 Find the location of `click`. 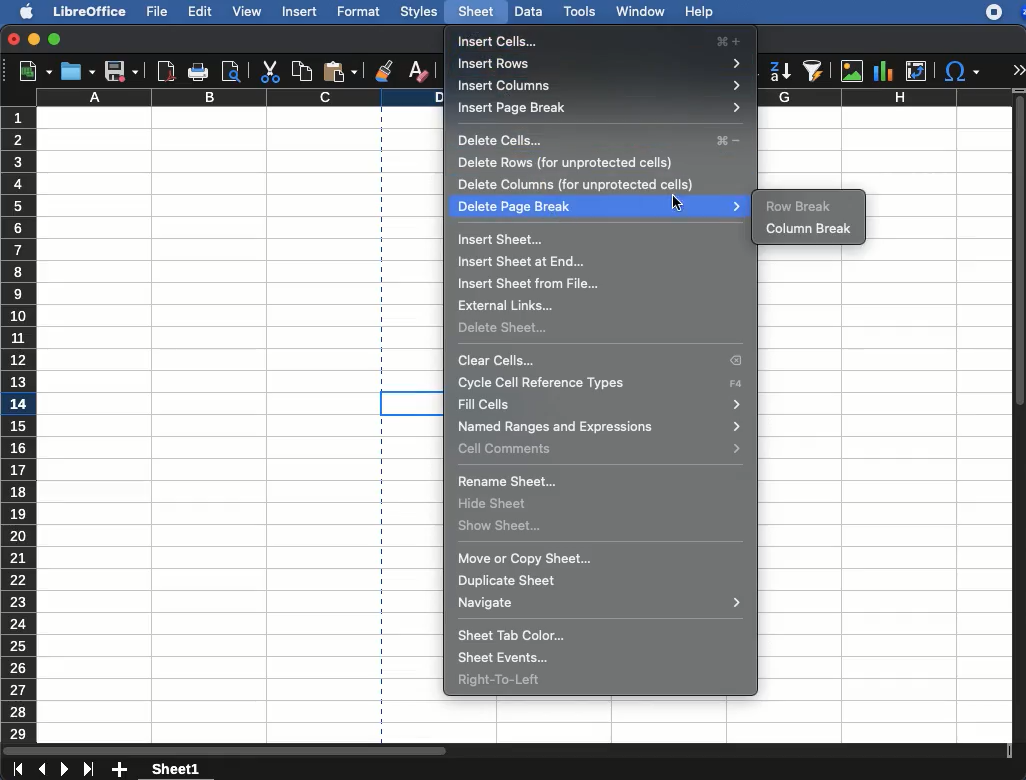

click is located at coordinates (679, 204).